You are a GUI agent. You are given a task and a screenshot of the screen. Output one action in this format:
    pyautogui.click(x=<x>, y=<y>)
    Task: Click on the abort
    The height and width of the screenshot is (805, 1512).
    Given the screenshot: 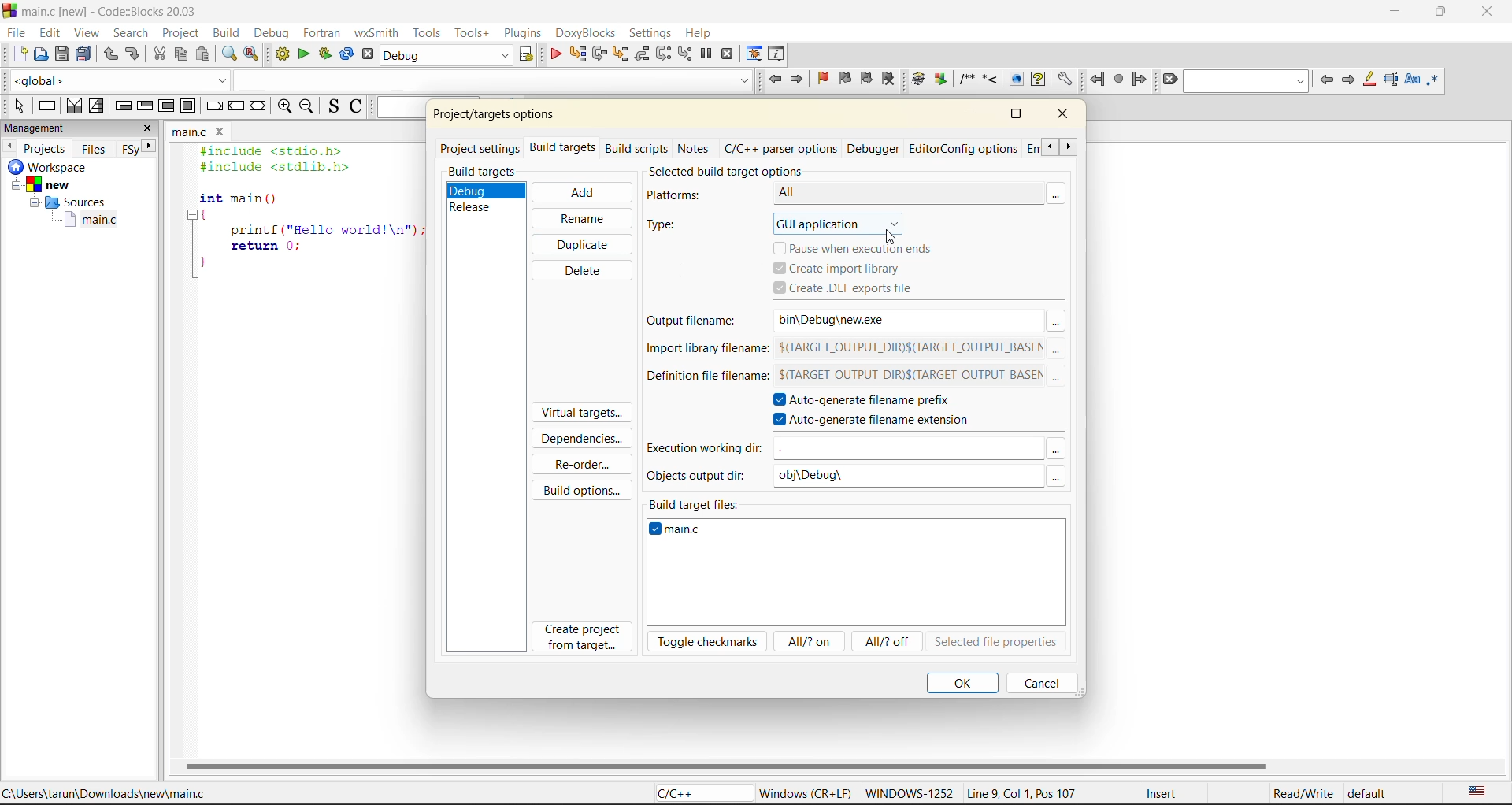 What is the action you would take?
    pyautogui.click(x=367, y=55)
    